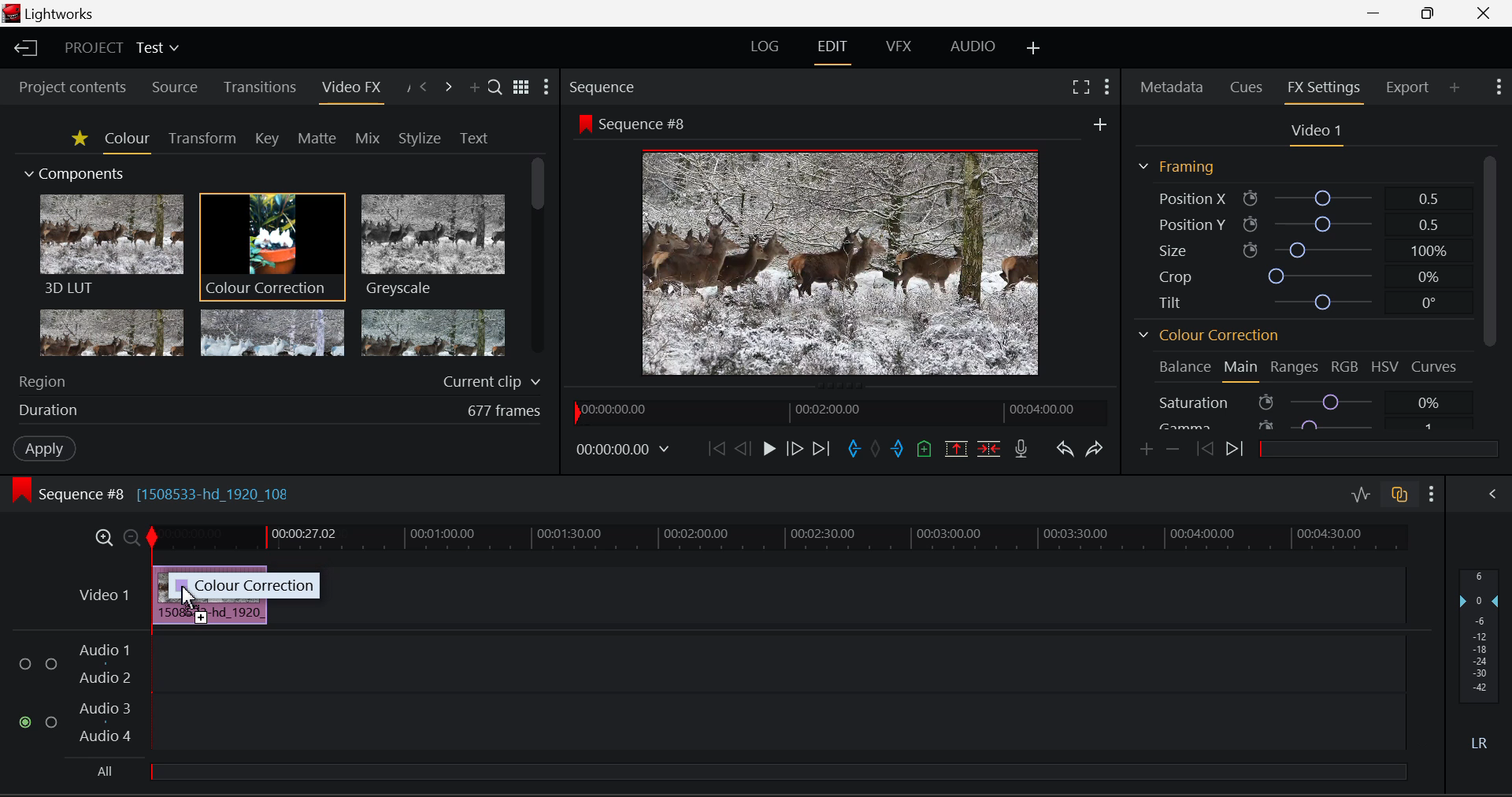  Describe the element at coordinates (272, 246) in the screenshot. I see `Cursor MOUSE_DOWN on Colour Correction` at that location.